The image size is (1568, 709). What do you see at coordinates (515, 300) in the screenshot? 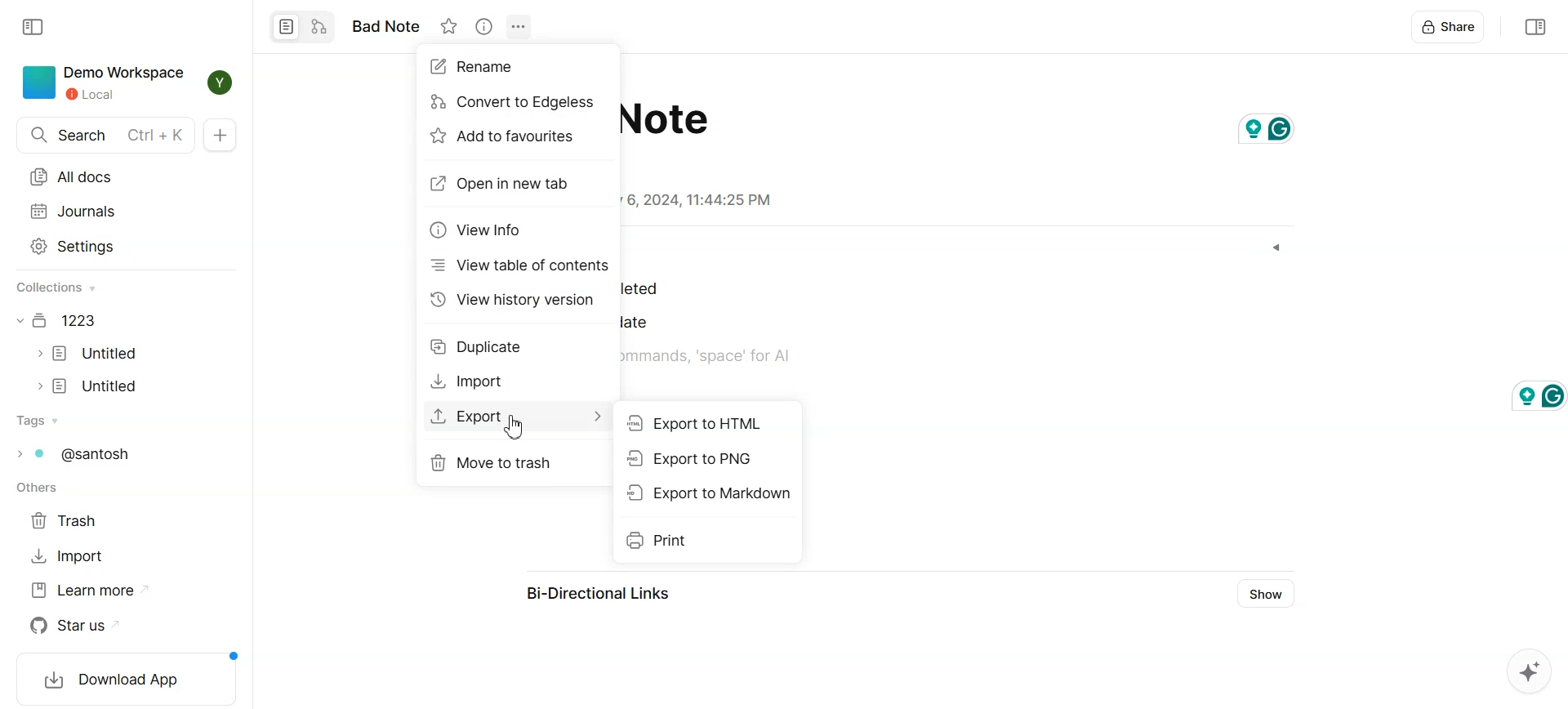
I see `View history version` at bounding box center [515, 300].